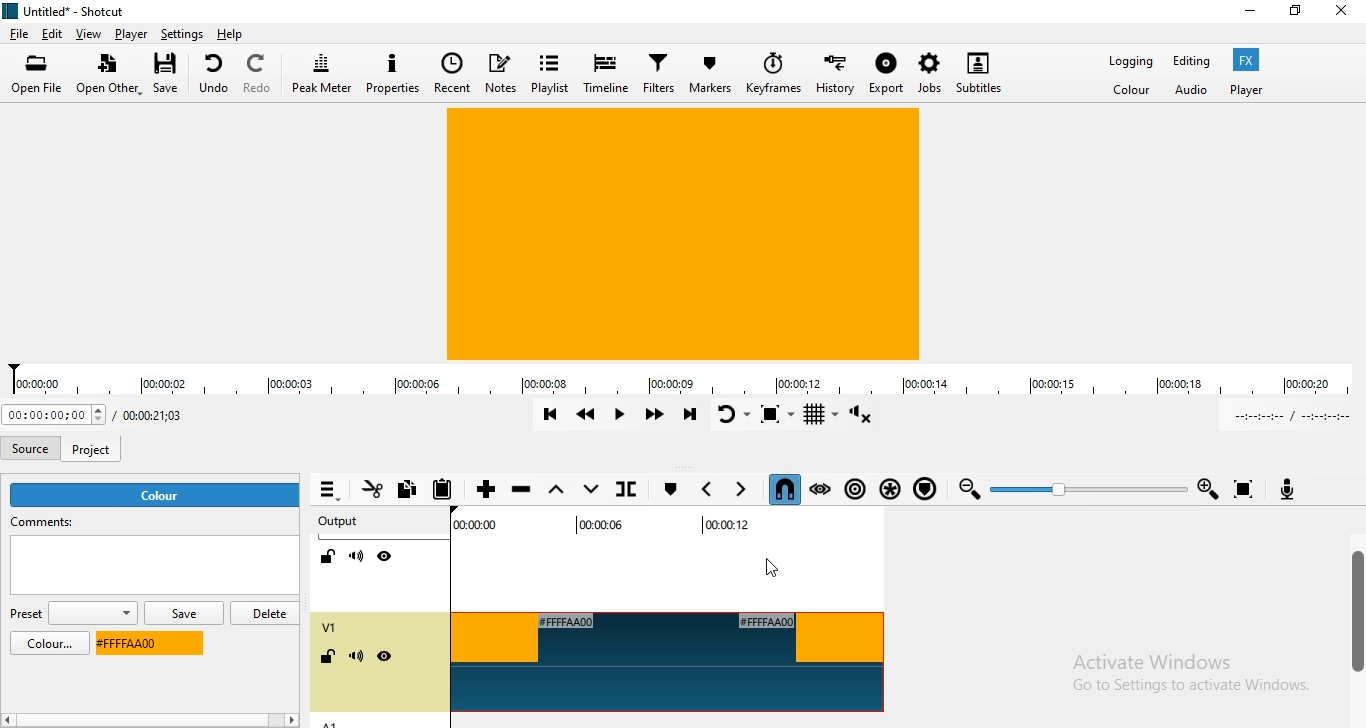  What do you see at coordinates (668, 490) in the screenshot?
I see `create/edit marker` at bounding box center [668, 490].